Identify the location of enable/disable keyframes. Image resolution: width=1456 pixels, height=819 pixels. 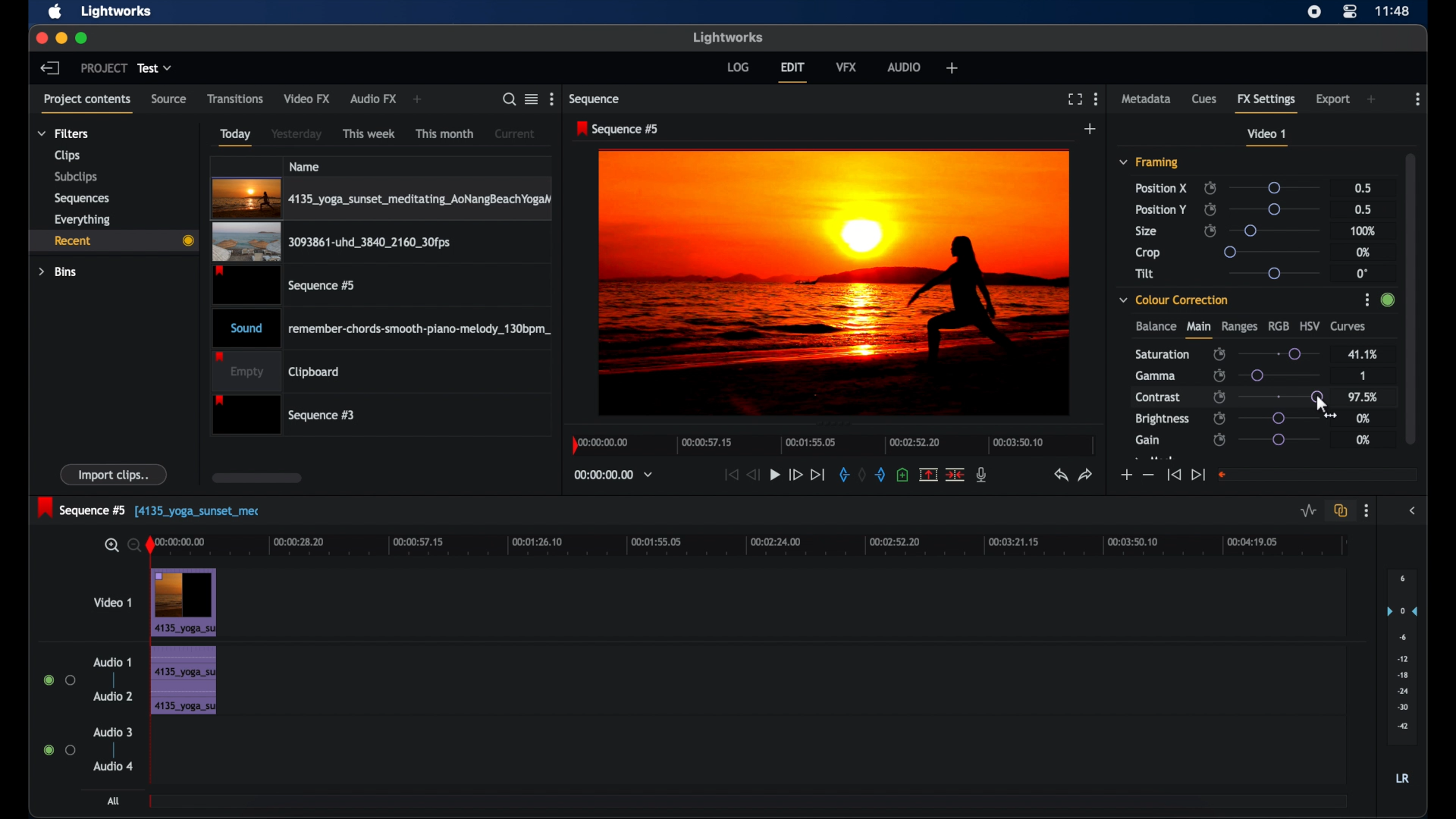
(1210, 188).